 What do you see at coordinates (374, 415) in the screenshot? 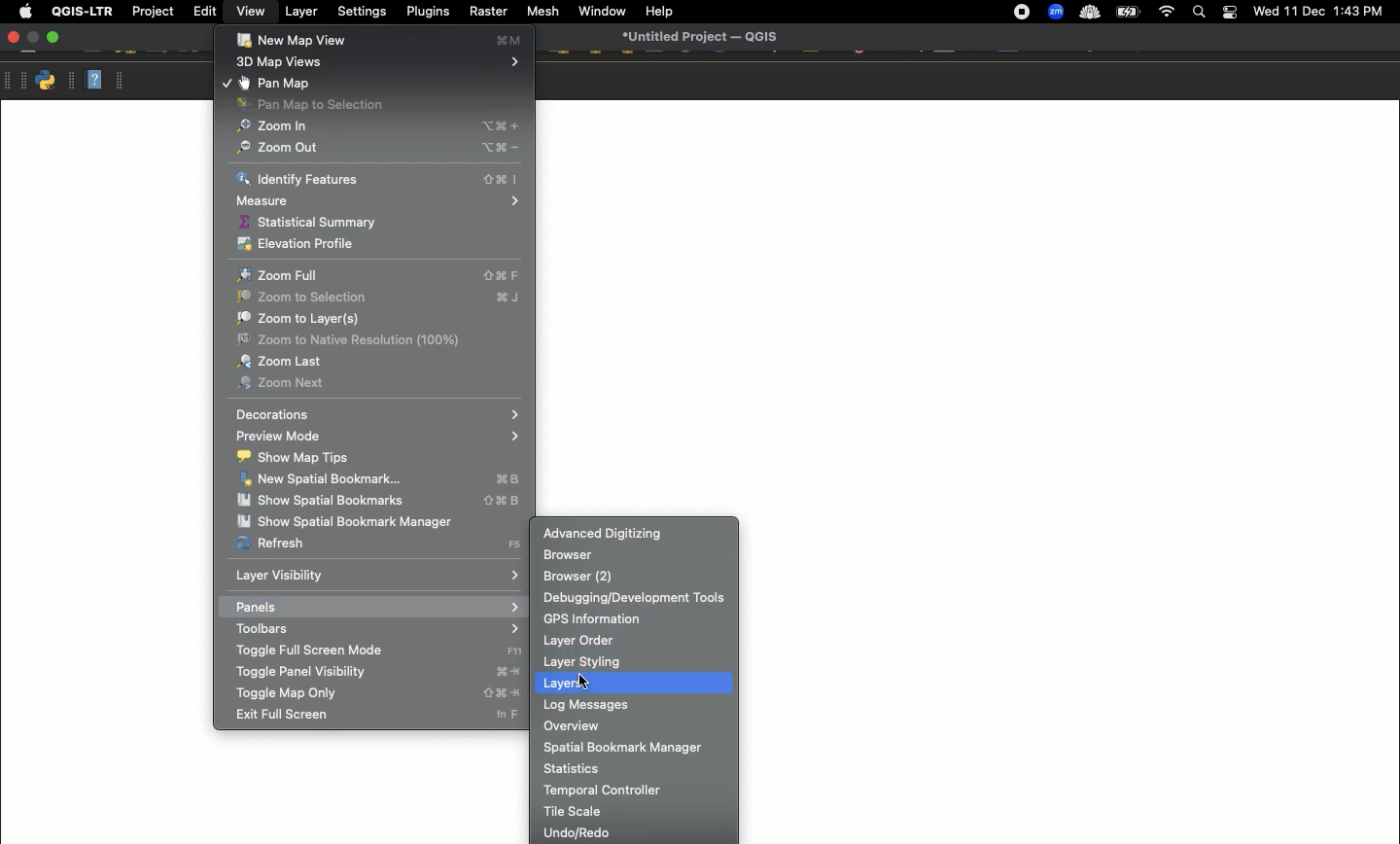
I see `Decorations` at bounding box center [374, 415].